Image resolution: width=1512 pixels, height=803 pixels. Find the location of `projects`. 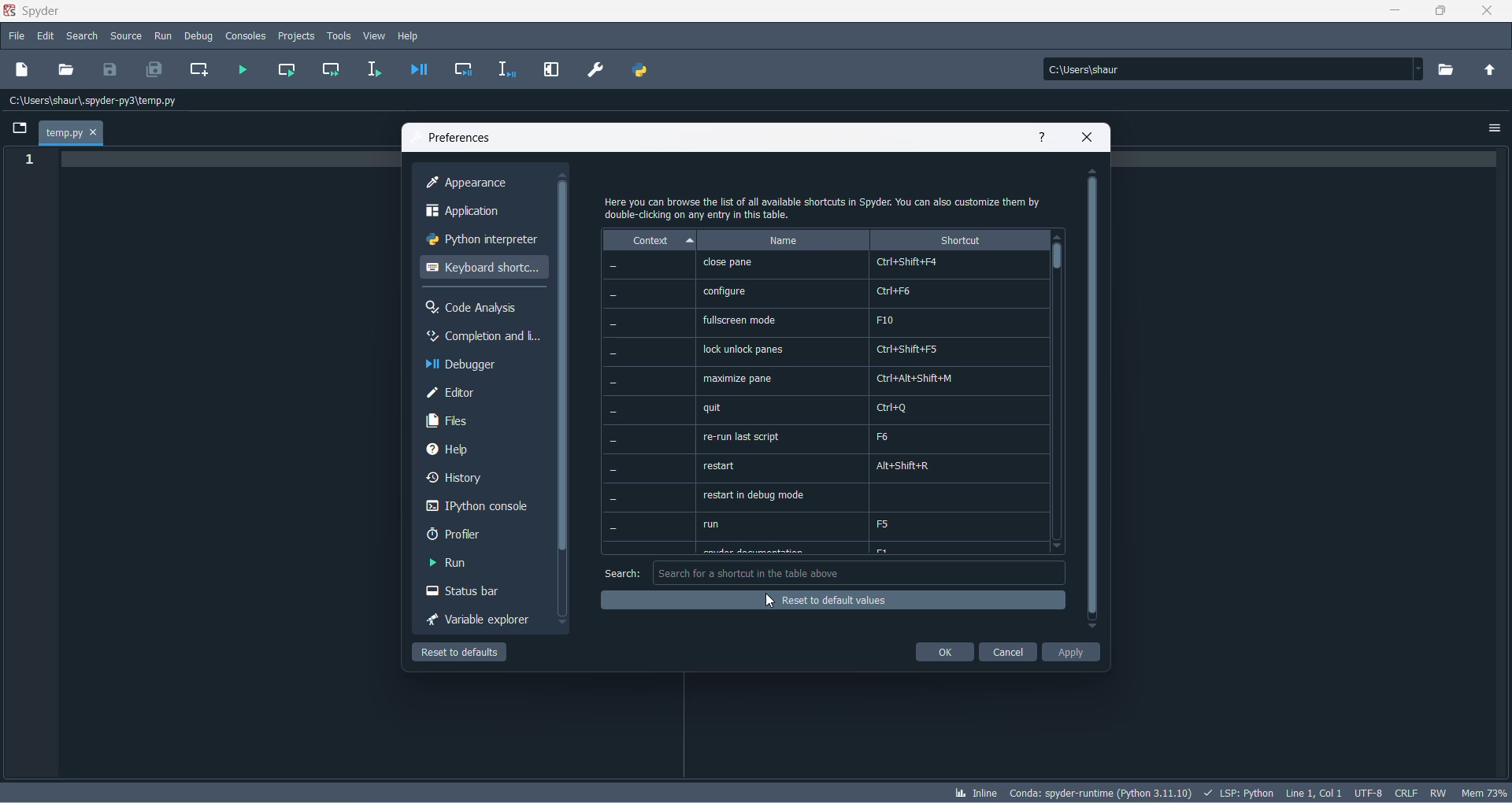

projects is located at coordinates (295, 36).